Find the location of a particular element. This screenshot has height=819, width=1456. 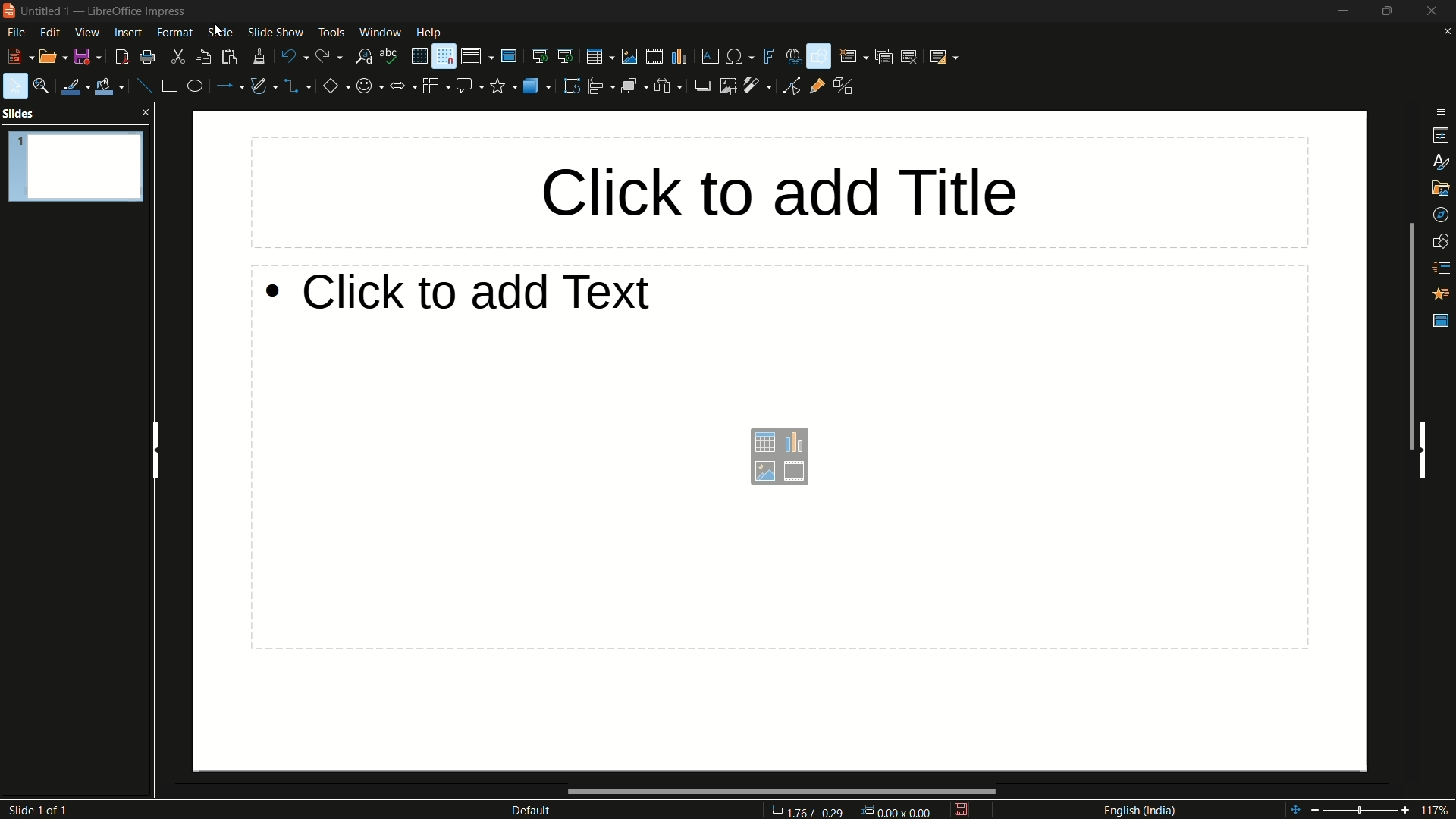

block arrows is located at coordinates (402, 86).